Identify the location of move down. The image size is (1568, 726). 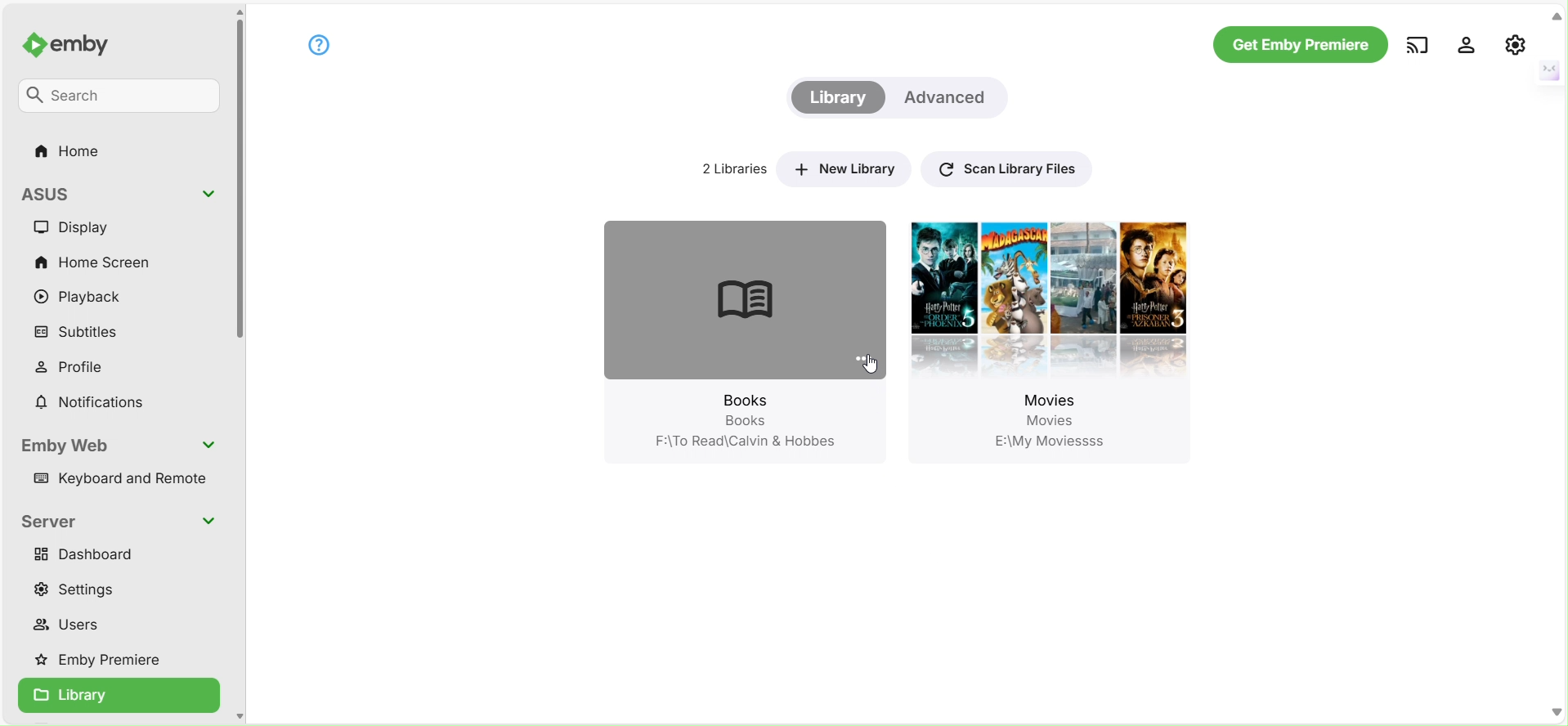
(239, 715).